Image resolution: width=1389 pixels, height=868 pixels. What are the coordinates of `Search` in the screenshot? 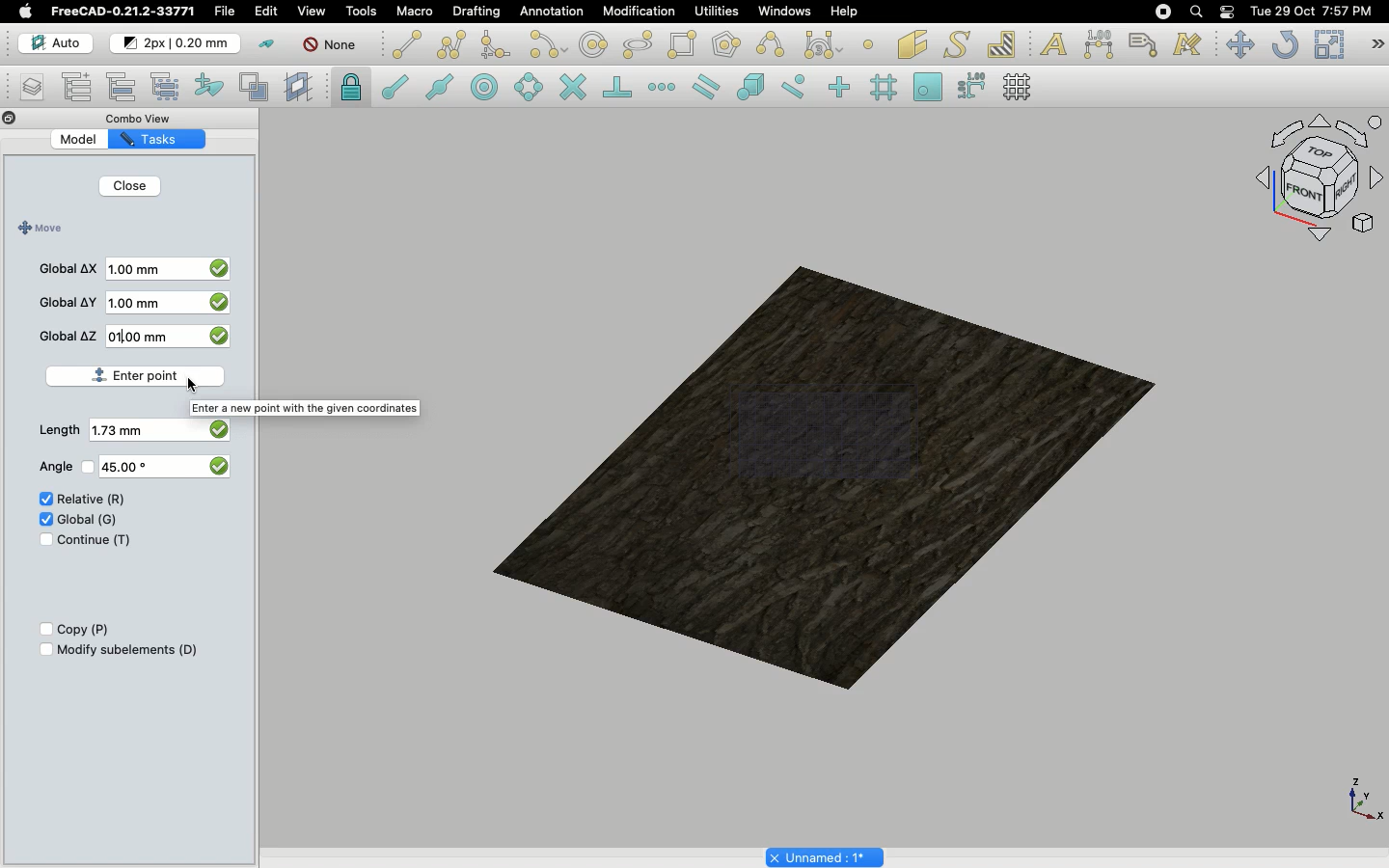 It's located at (1195, 12).